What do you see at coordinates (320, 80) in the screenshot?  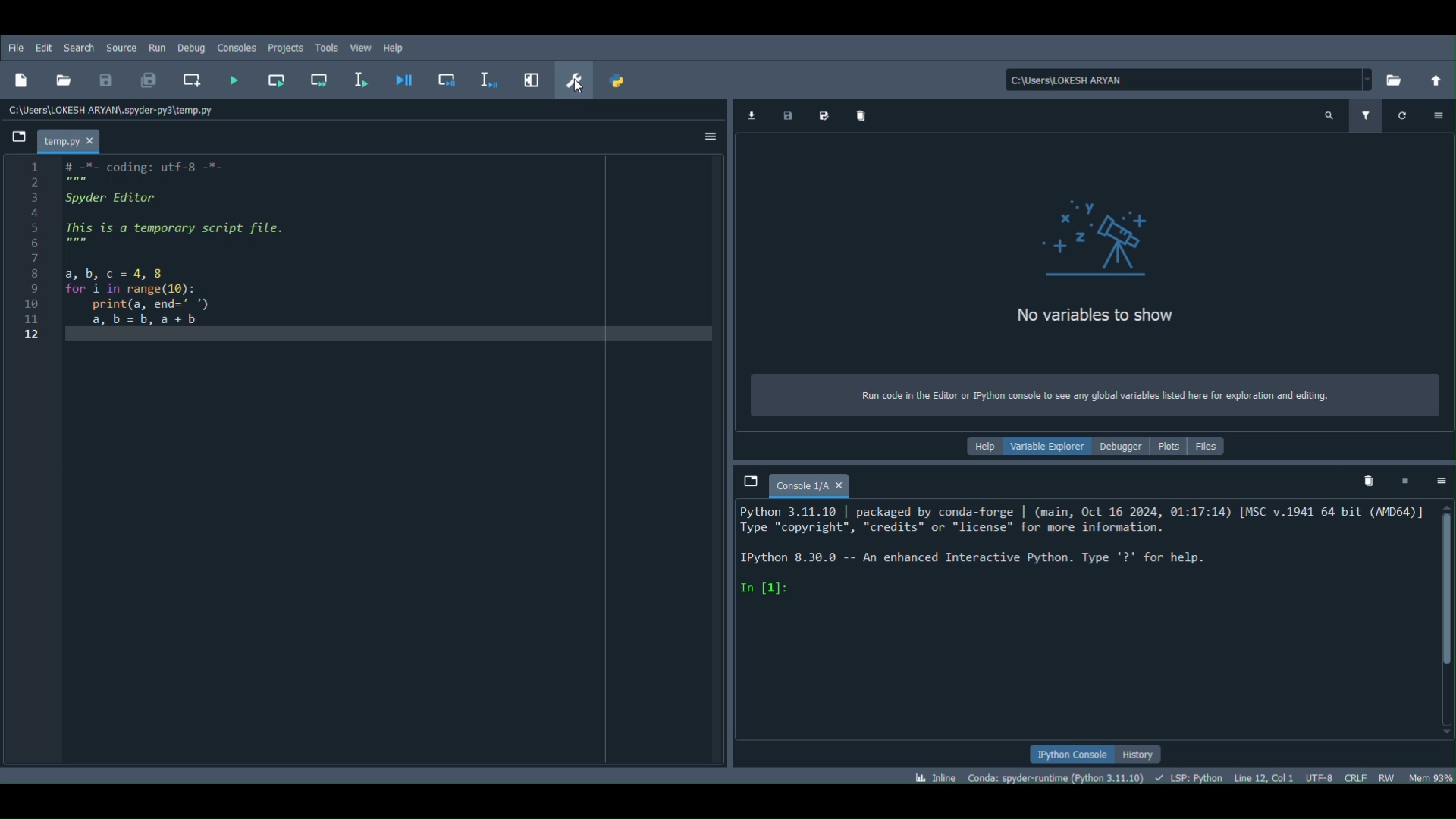 I see `Run current cell and go to the next one (Shift + Return)` at bounding box center [320, 80].